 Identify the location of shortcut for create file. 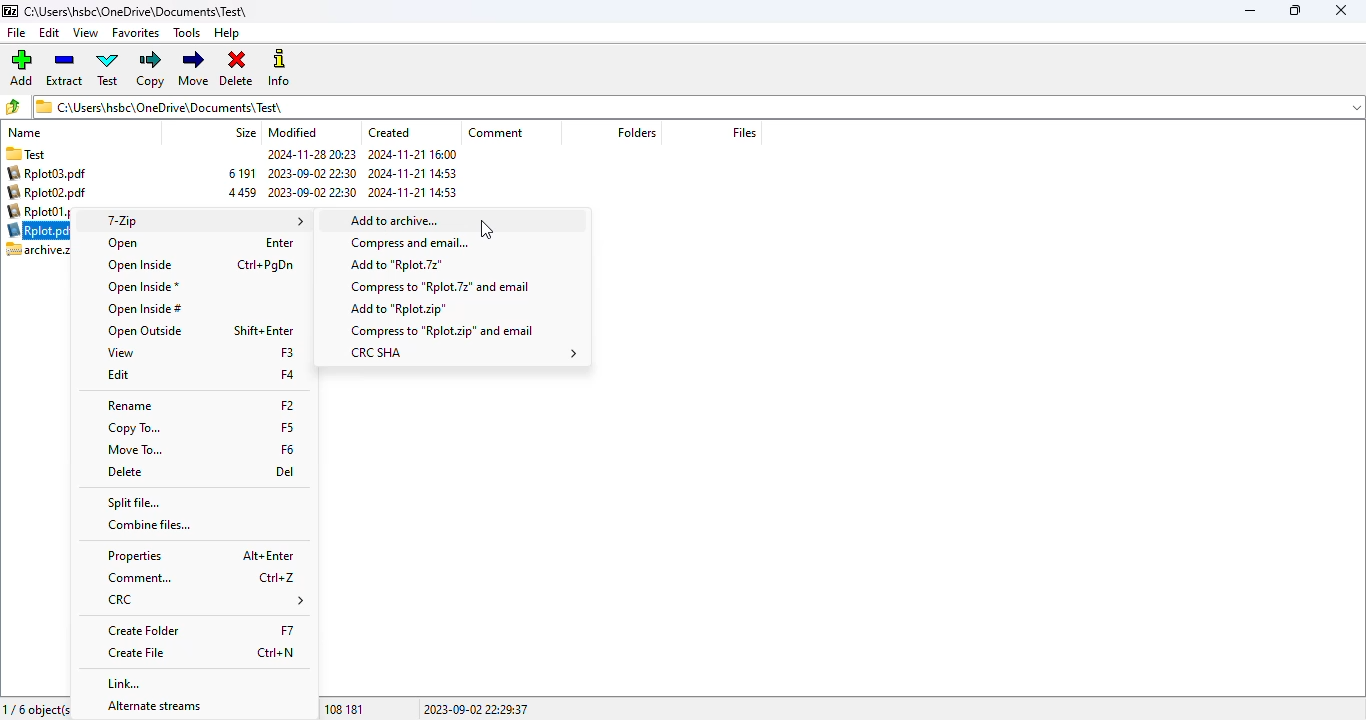
(277, 654).